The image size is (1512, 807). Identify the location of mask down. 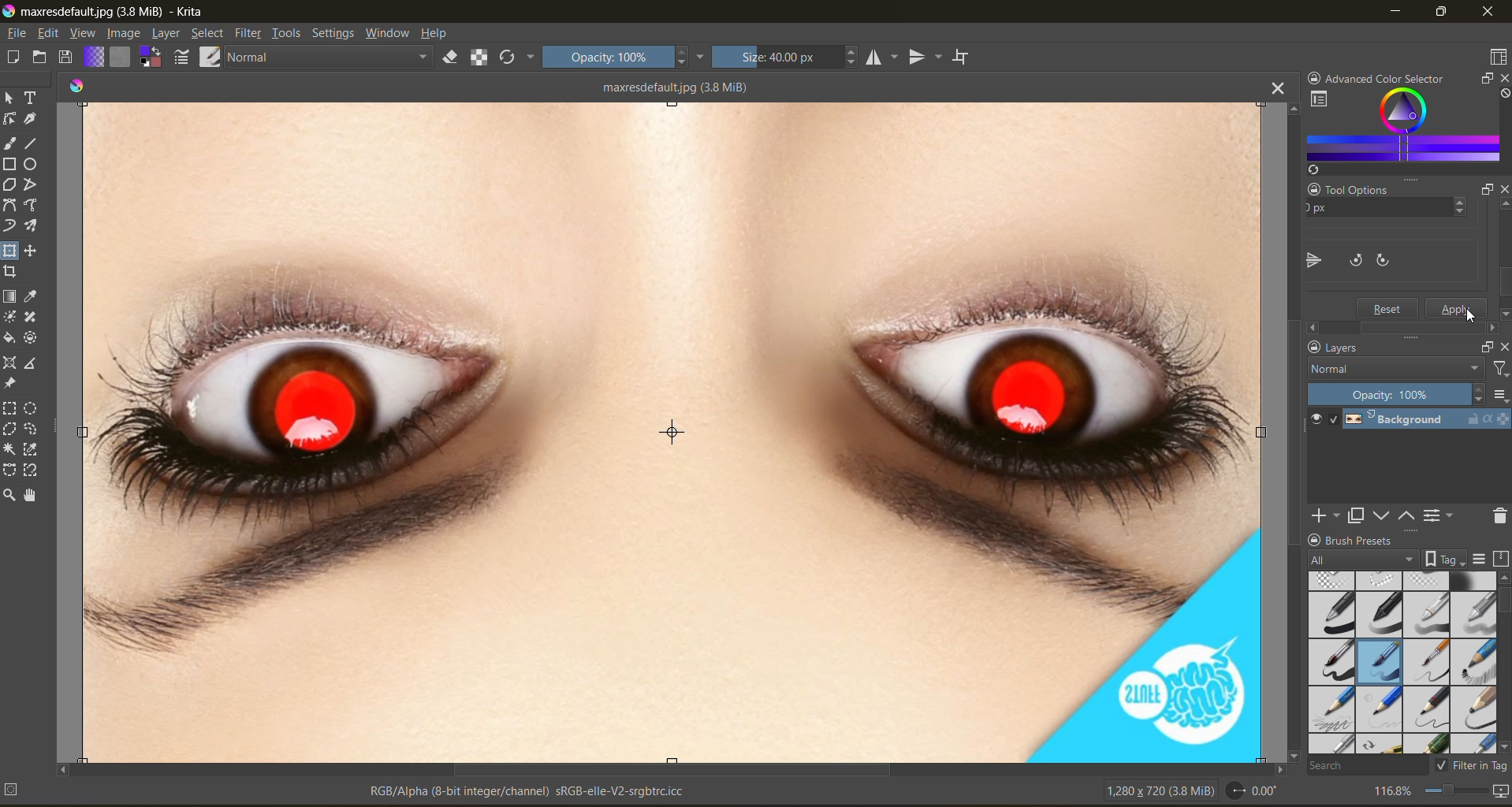
(1384, 515).